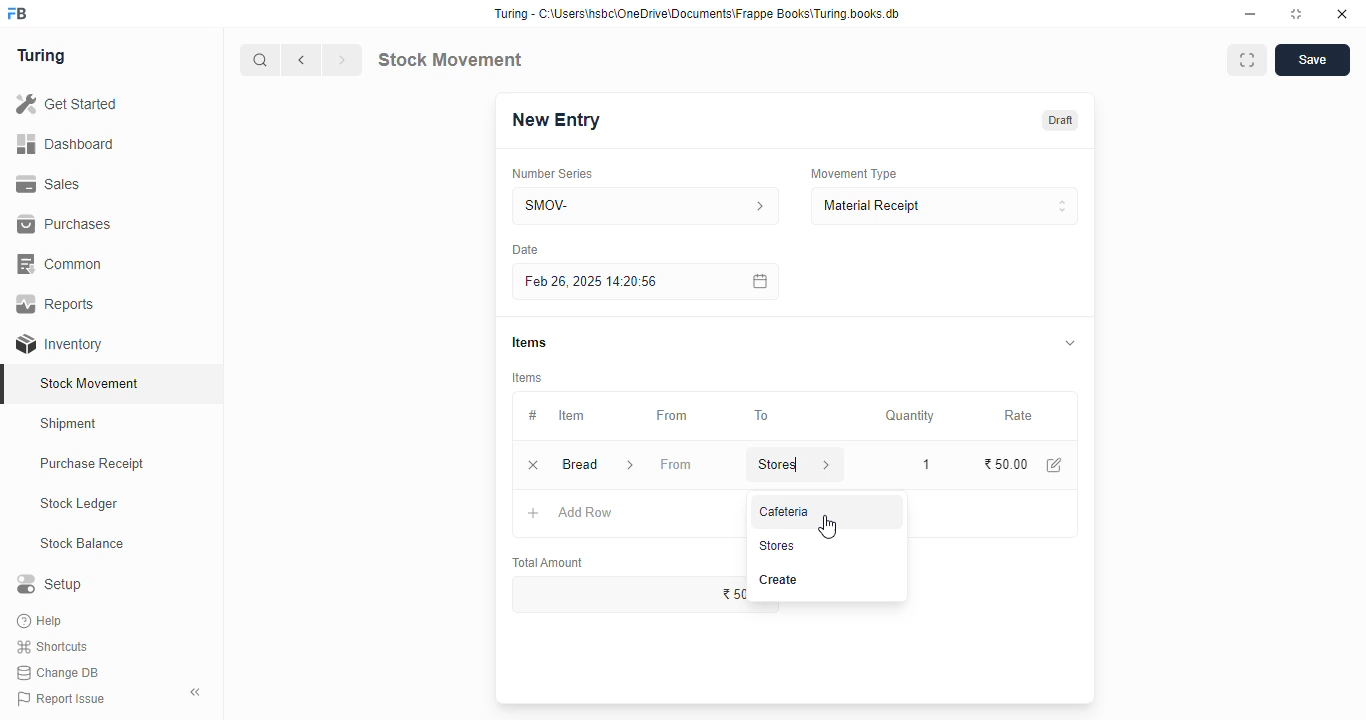 The image size is (1366, 720). I want to click on material receipt, so click(944, 206).